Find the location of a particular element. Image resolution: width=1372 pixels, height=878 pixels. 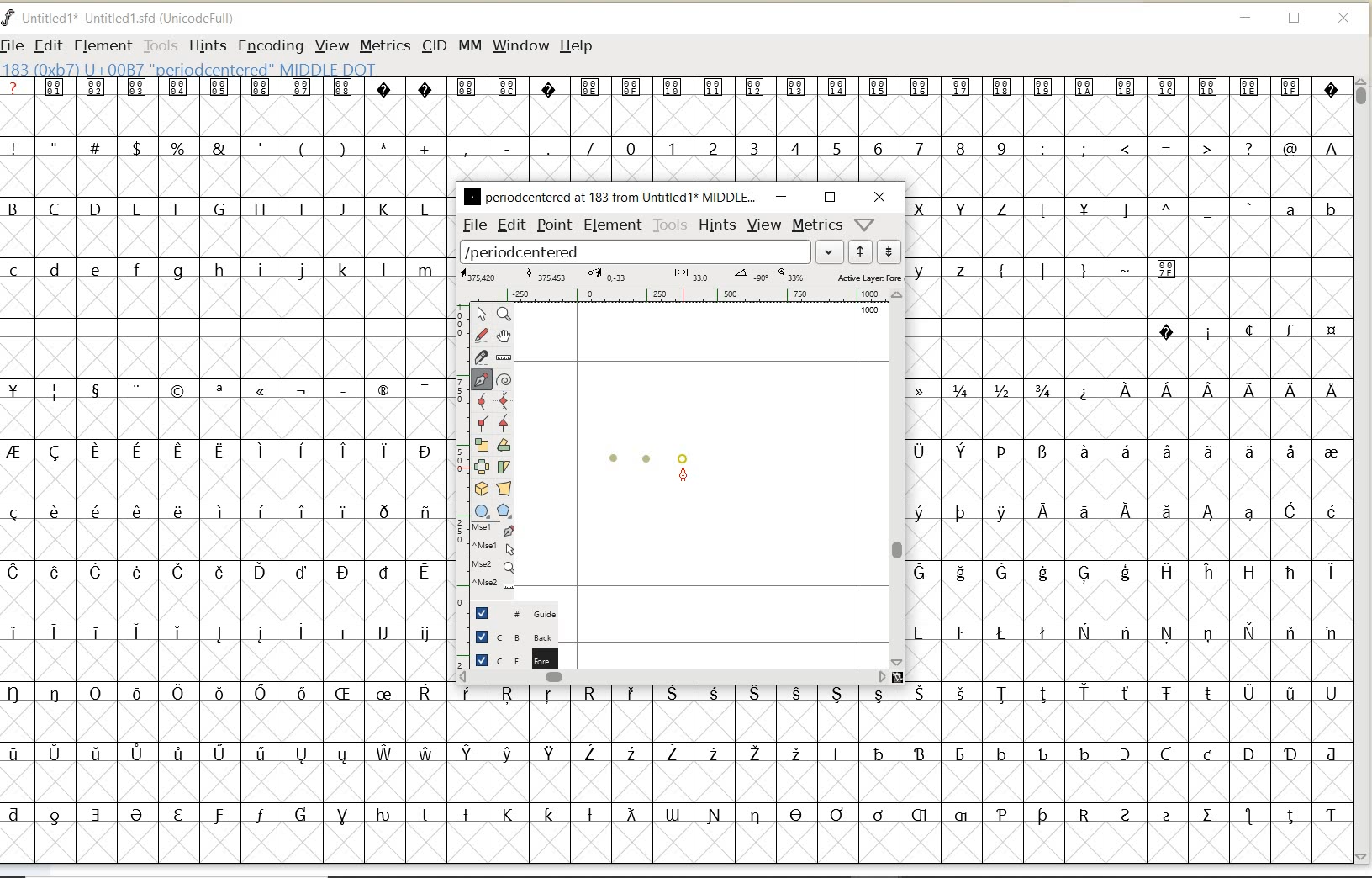

MINIMIZE is located at coordinates (1247, 20).